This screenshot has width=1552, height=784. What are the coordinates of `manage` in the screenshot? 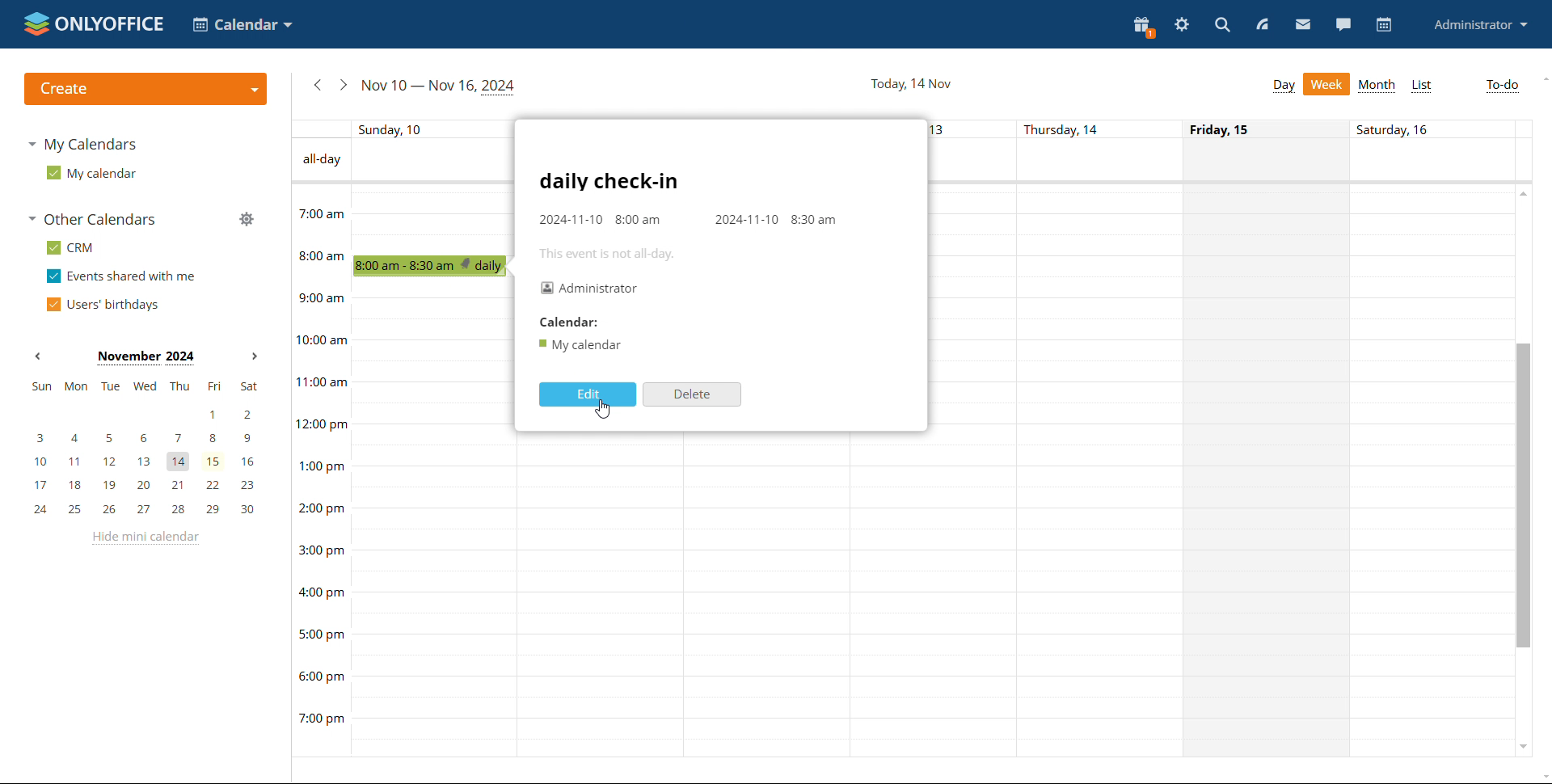 It's located at (246, 218).